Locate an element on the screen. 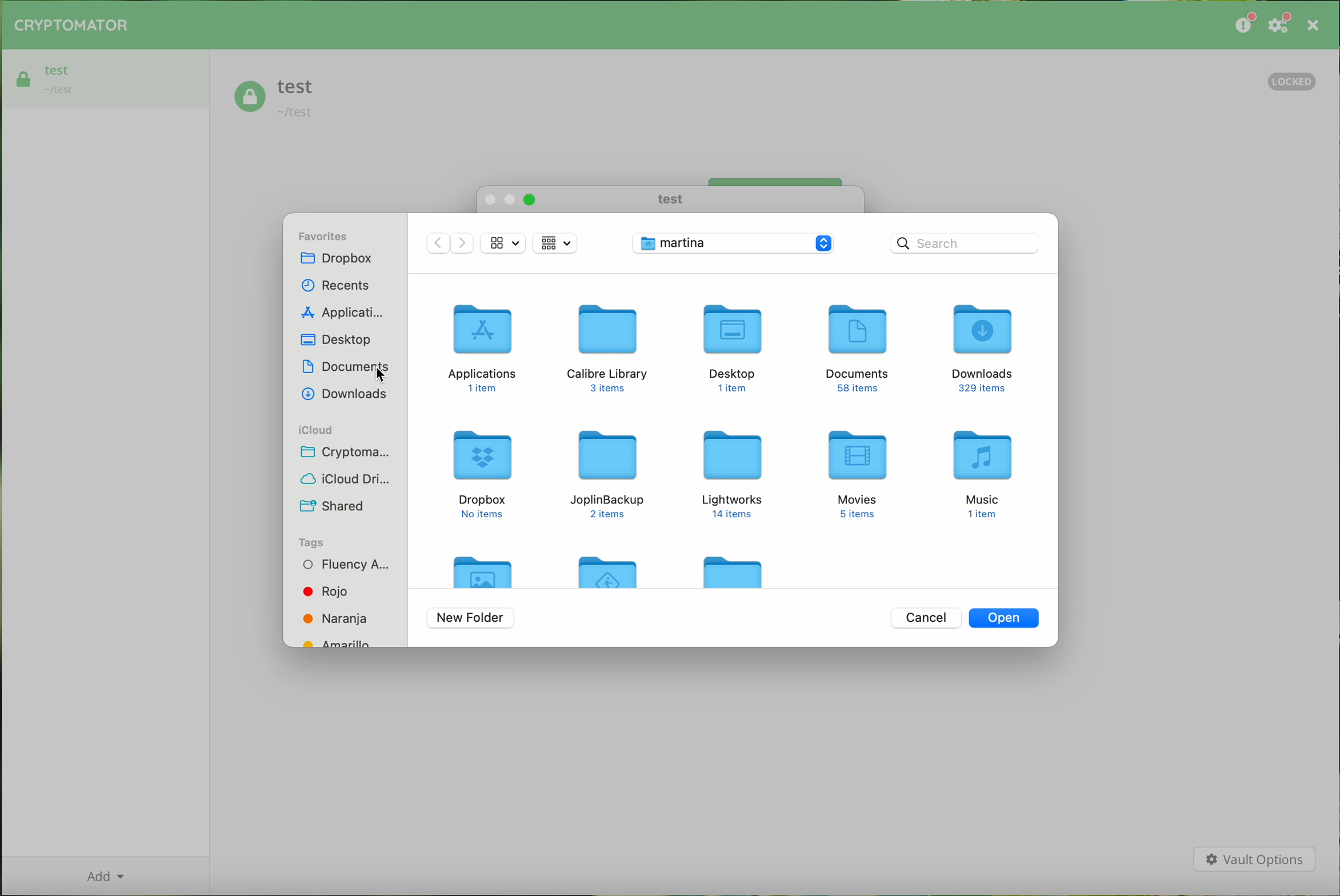  desktop is located at coordinates (729, 346).